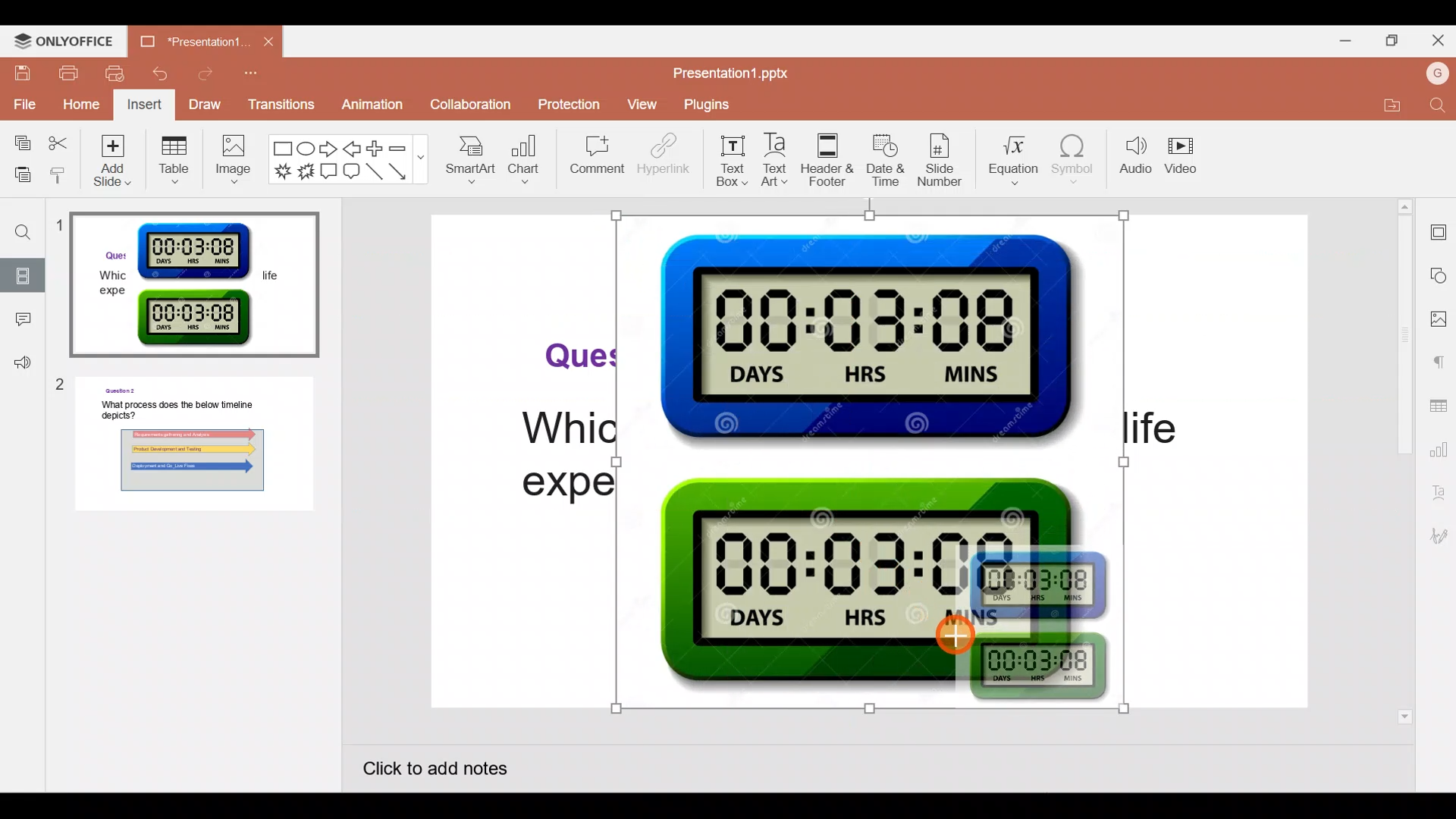  Describe the element at coordinates (402, 174) in the screenshot. I see `Arrow` at that location.